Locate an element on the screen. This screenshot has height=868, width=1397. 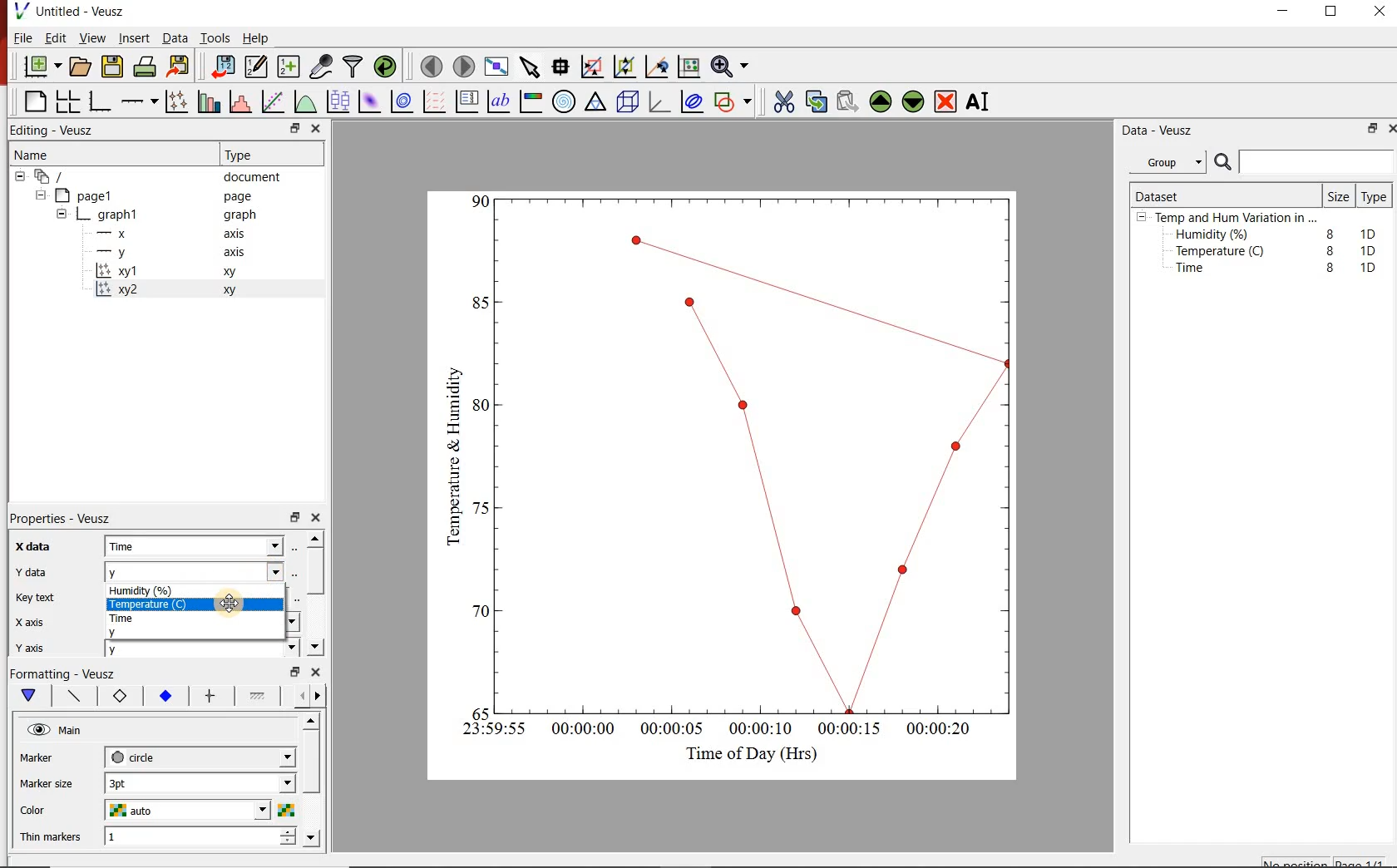
move to the next page is located at coordinates (463, 66).